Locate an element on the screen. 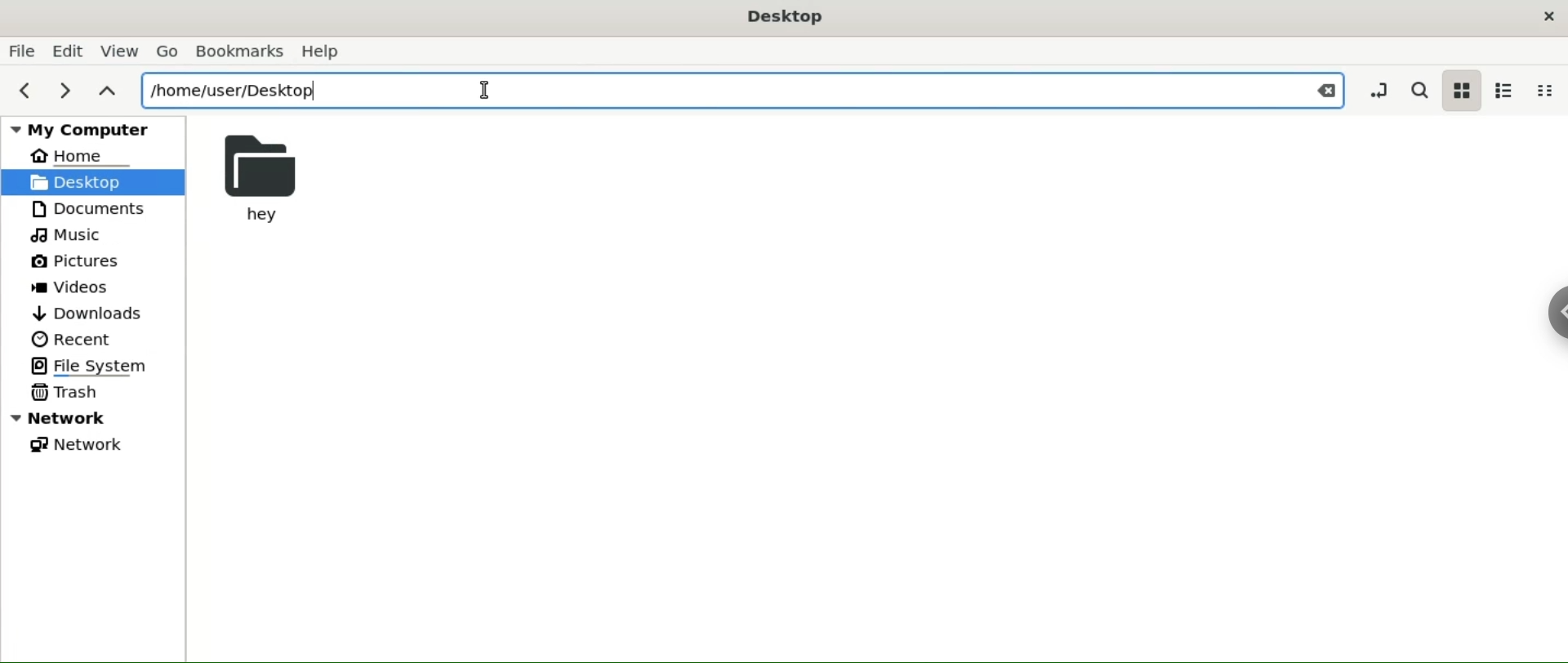  network is located at coordinates (79, 443).